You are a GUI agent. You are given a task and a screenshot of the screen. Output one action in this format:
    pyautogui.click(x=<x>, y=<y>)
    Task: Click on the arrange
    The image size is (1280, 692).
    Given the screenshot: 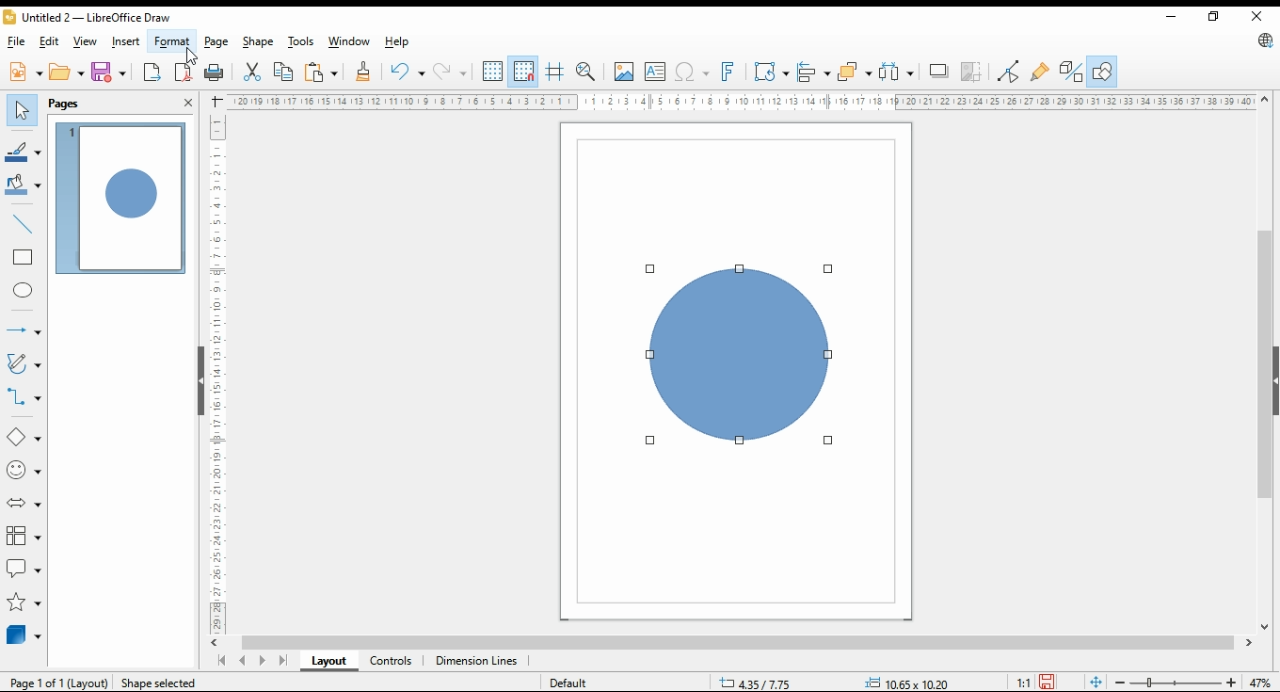 What is the action you would take?
    pyautogui.click(x=854, y=71)
    